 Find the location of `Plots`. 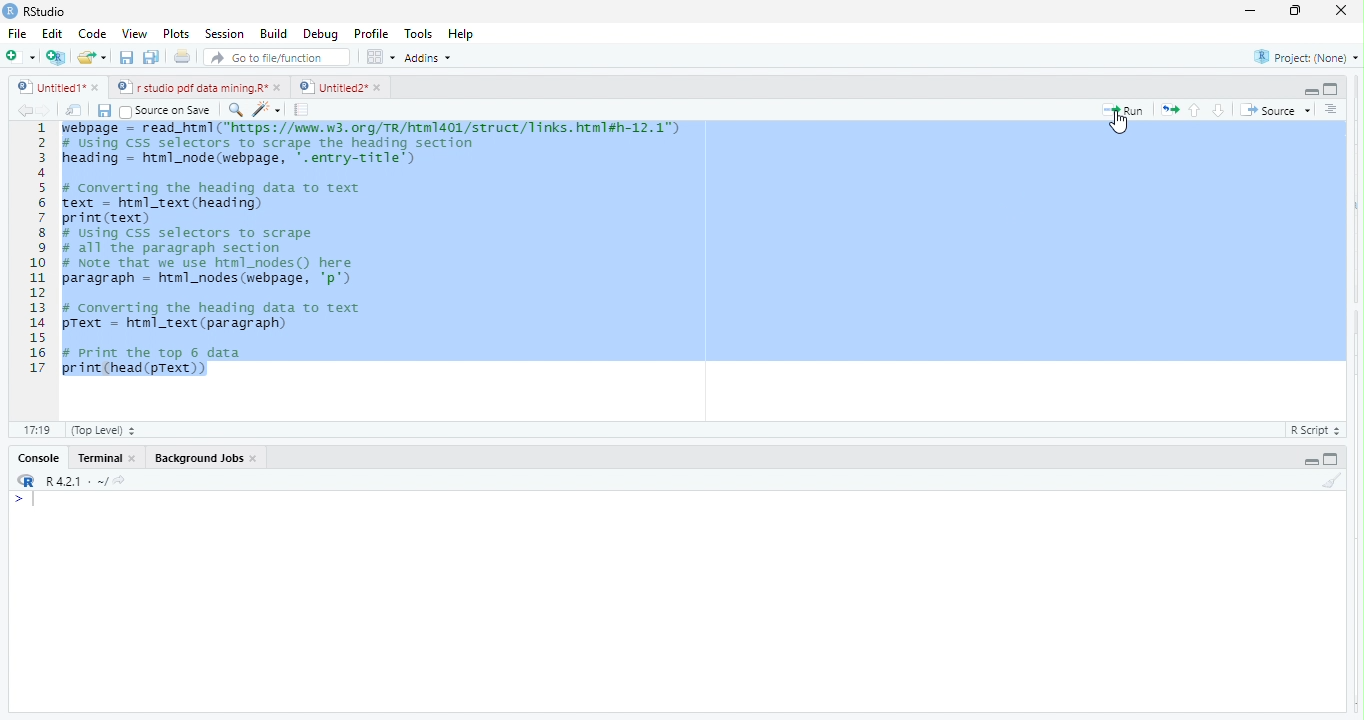

Plots is located at coordinates (175, 34).